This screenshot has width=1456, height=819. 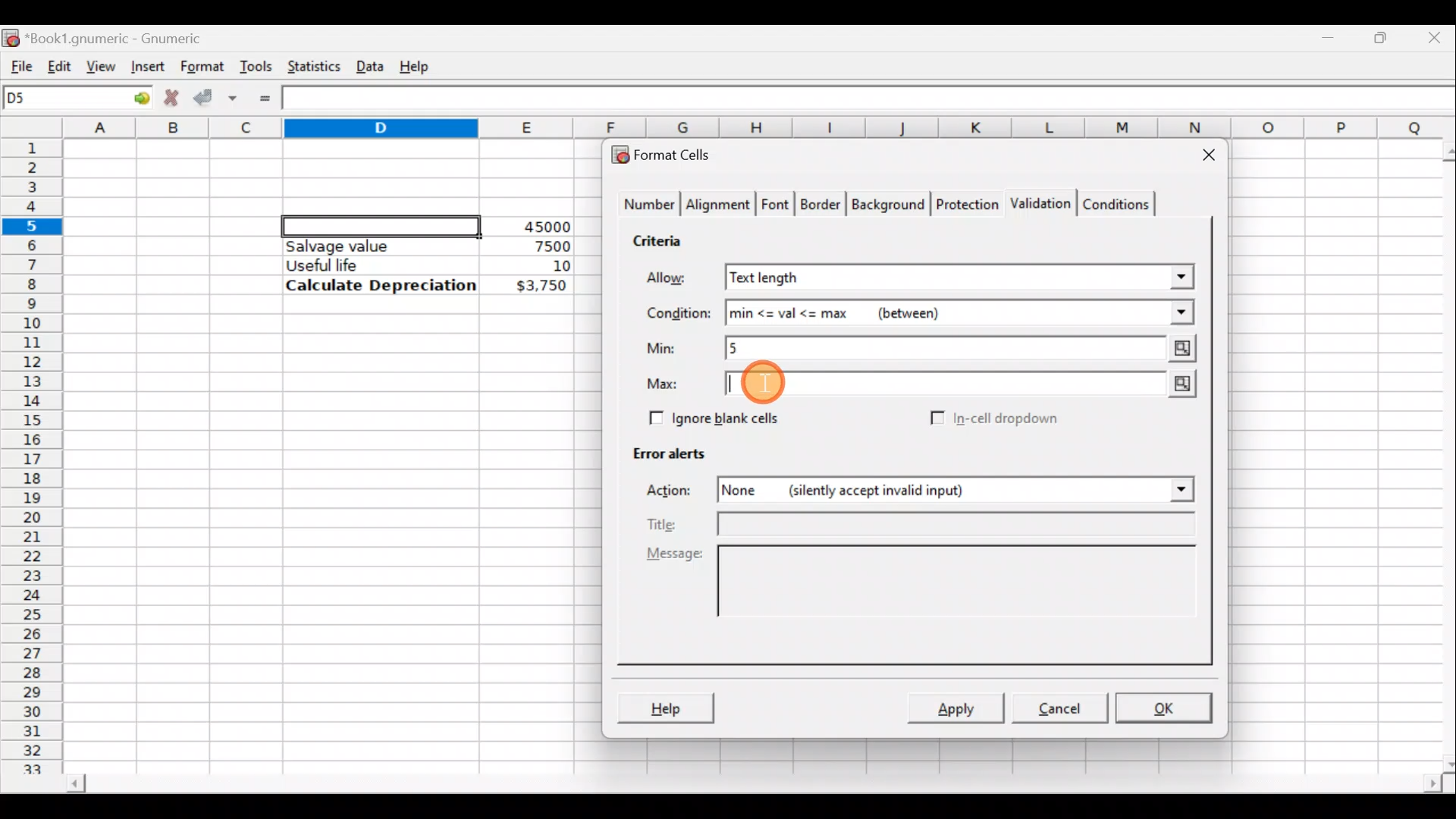 I want to click on Min value = 5, so click(x=963, y=348).